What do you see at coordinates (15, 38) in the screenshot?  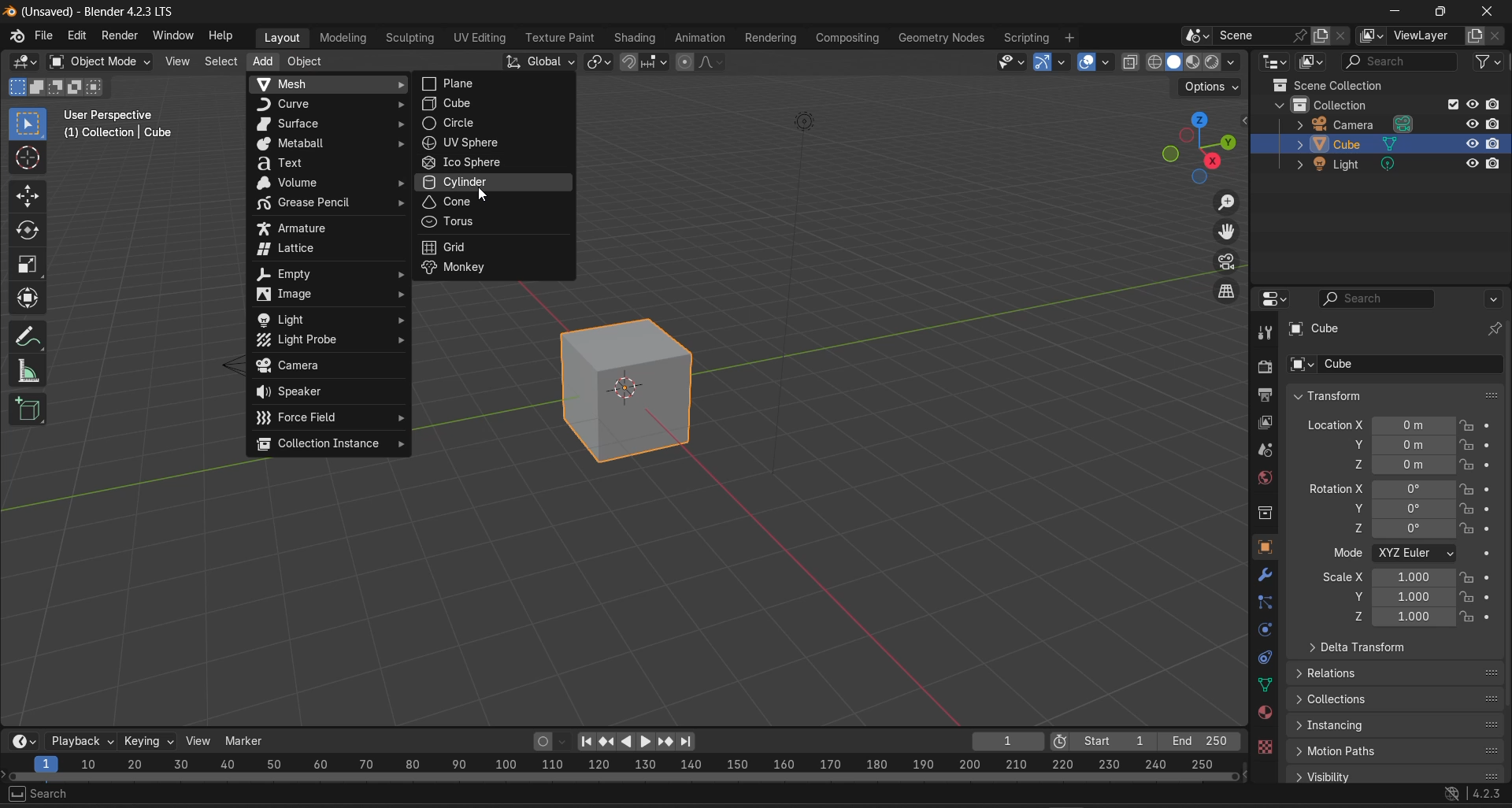 I see `blender` at bounding box center [15, 38].